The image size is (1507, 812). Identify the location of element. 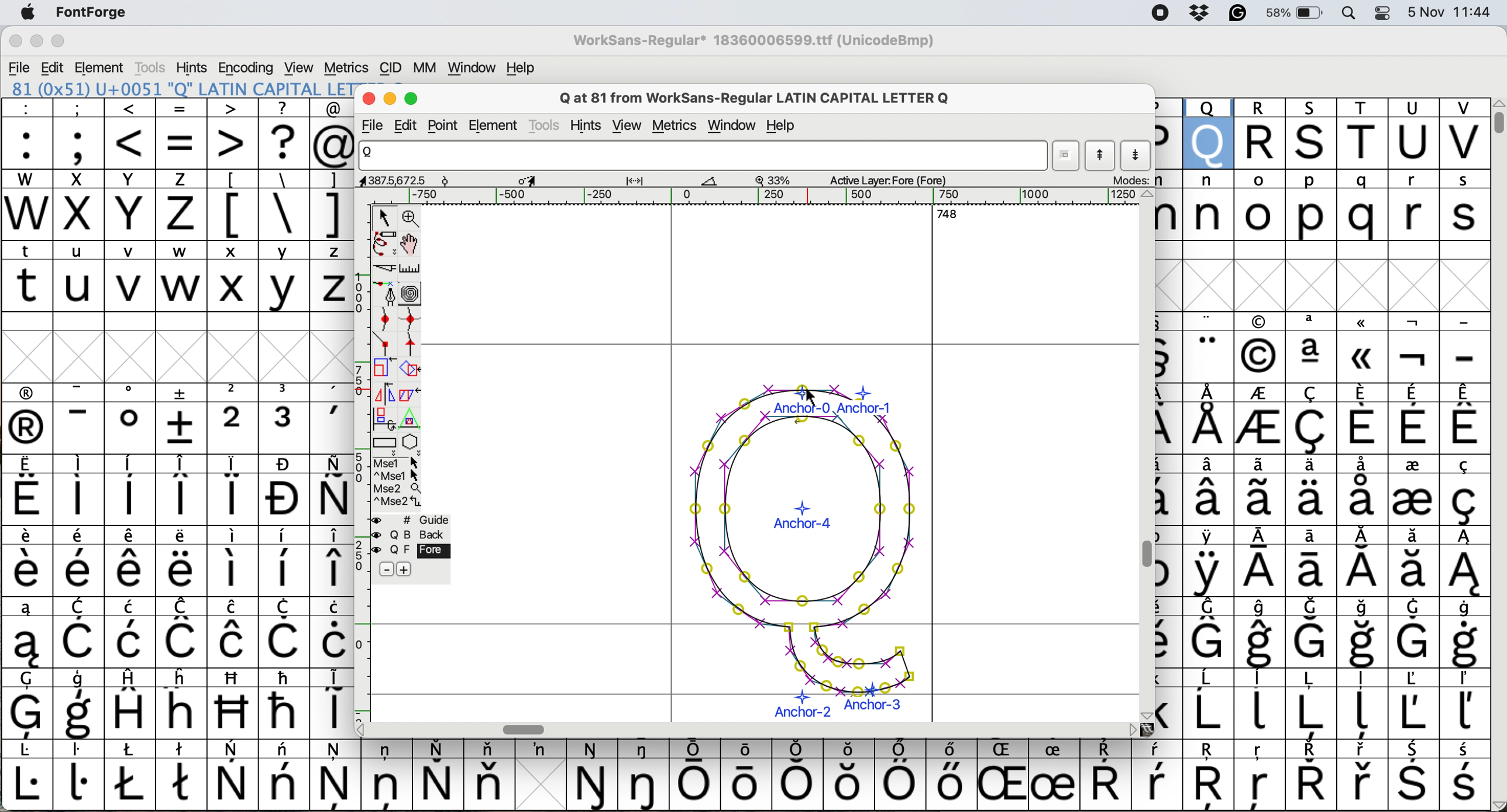
(102, 67).